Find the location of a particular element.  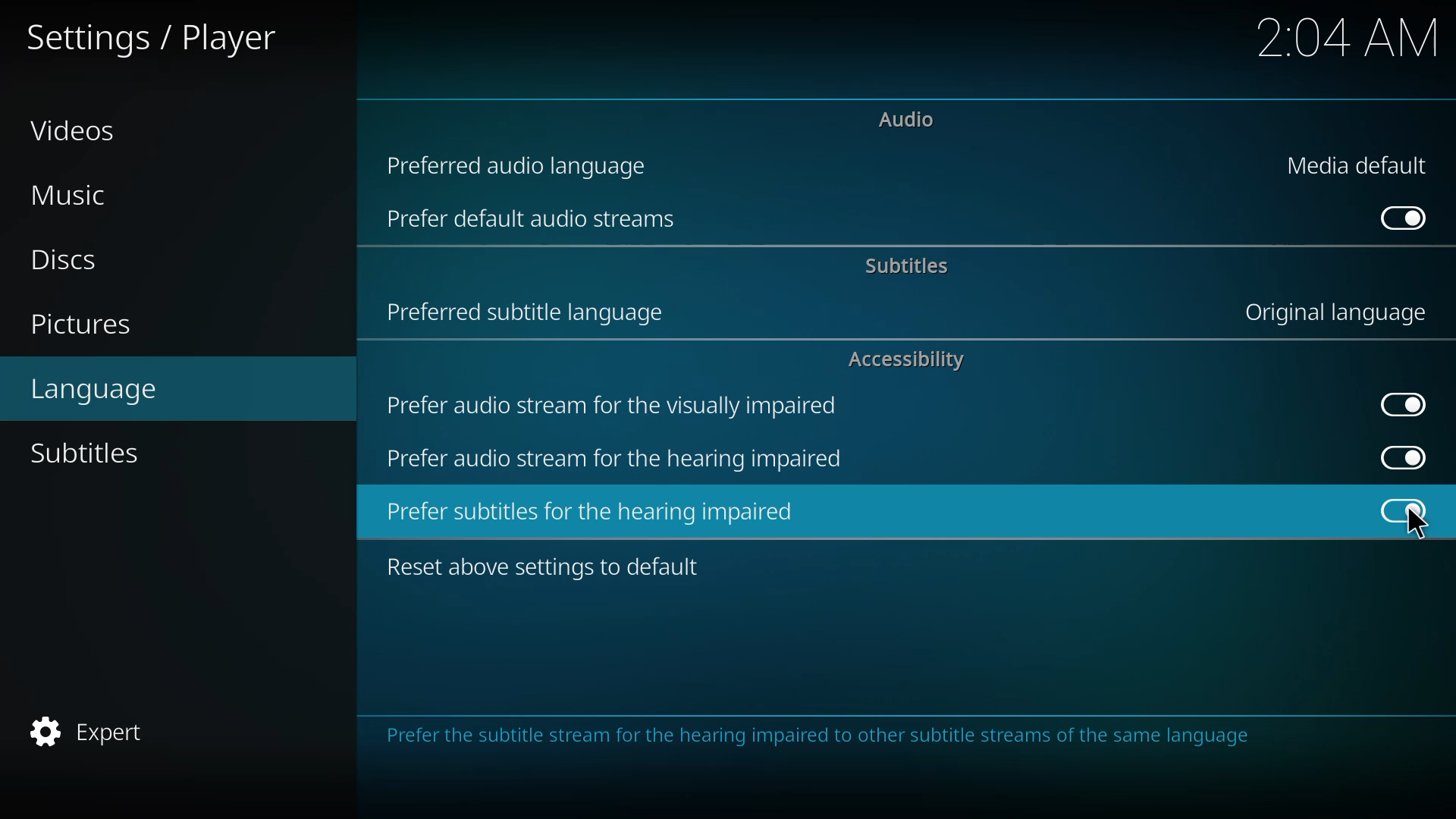

prefer default audio is located at coordinates (535, 221).